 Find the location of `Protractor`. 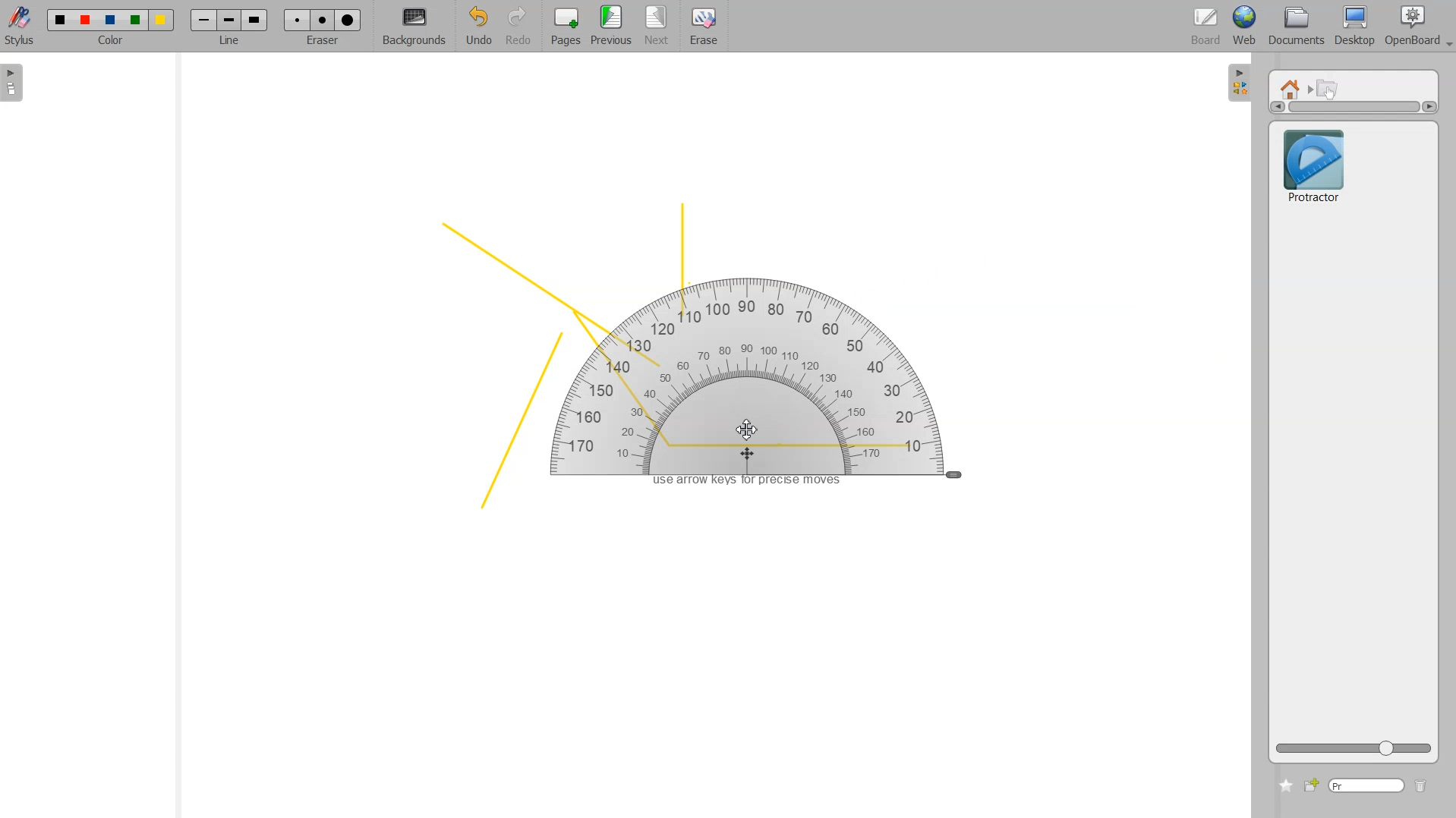

Protractor is located at coordinates (1313, 164).